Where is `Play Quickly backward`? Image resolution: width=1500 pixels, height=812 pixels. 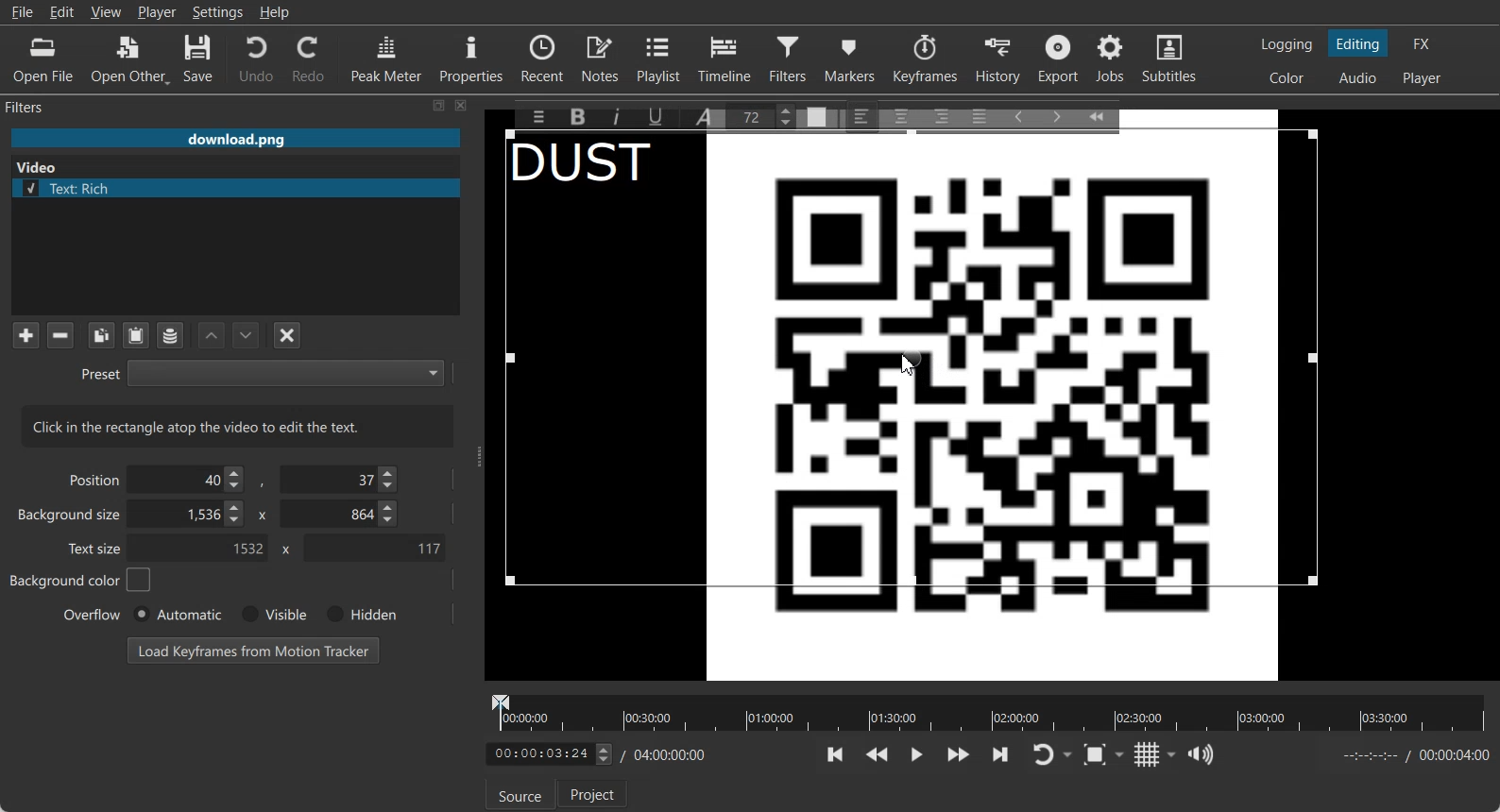 Play Quickly backward is located at coordinates (878, 754).